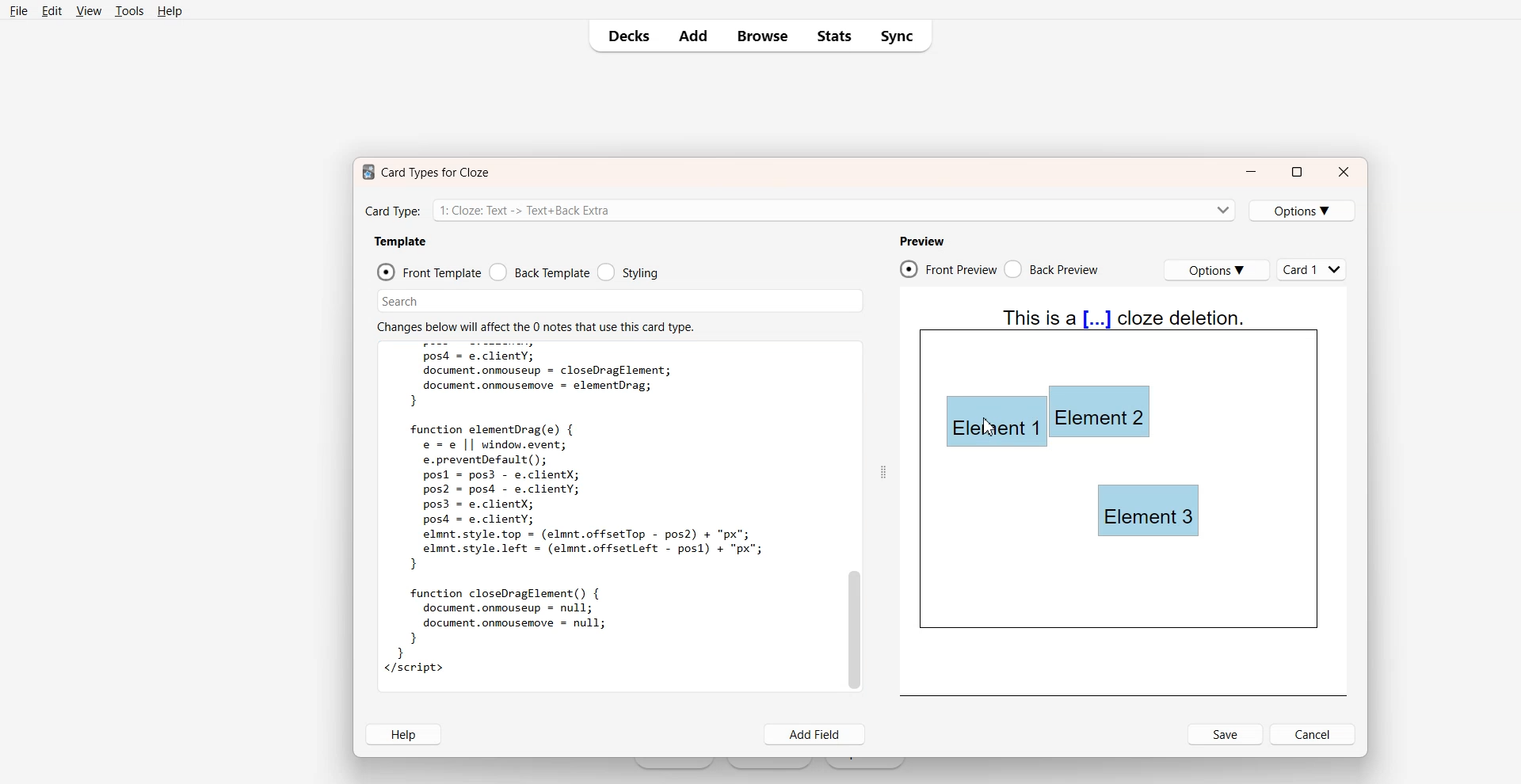  I want to click on Stats, so click(833, 36).